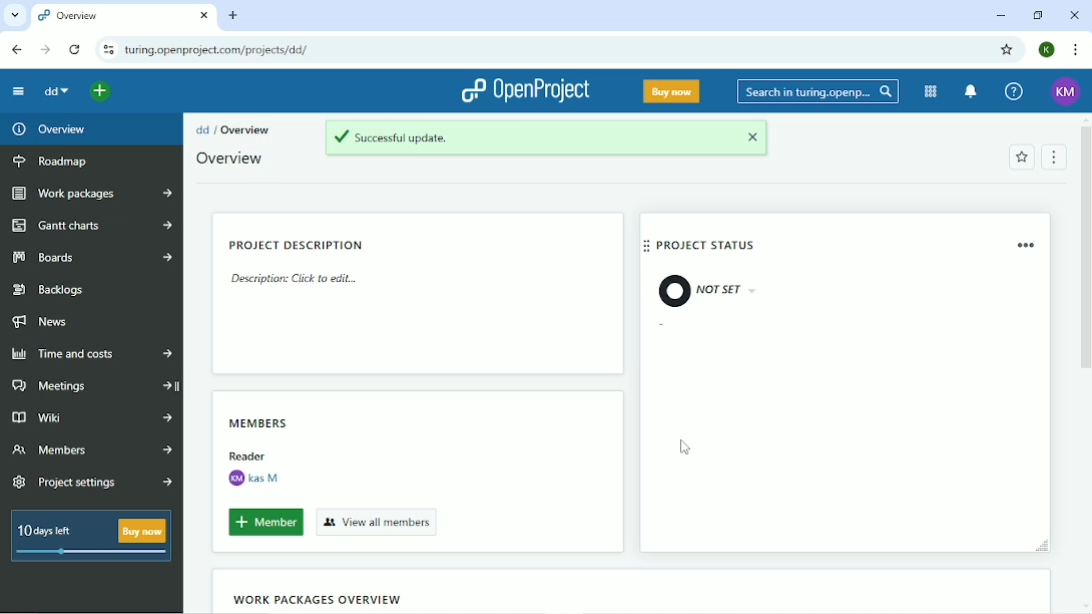 The height and width of the screenshot is (614, 1092). What do you see at coordinates (203, 129) in the screenshot?
I see `dd` at bounding box center [203, 129].